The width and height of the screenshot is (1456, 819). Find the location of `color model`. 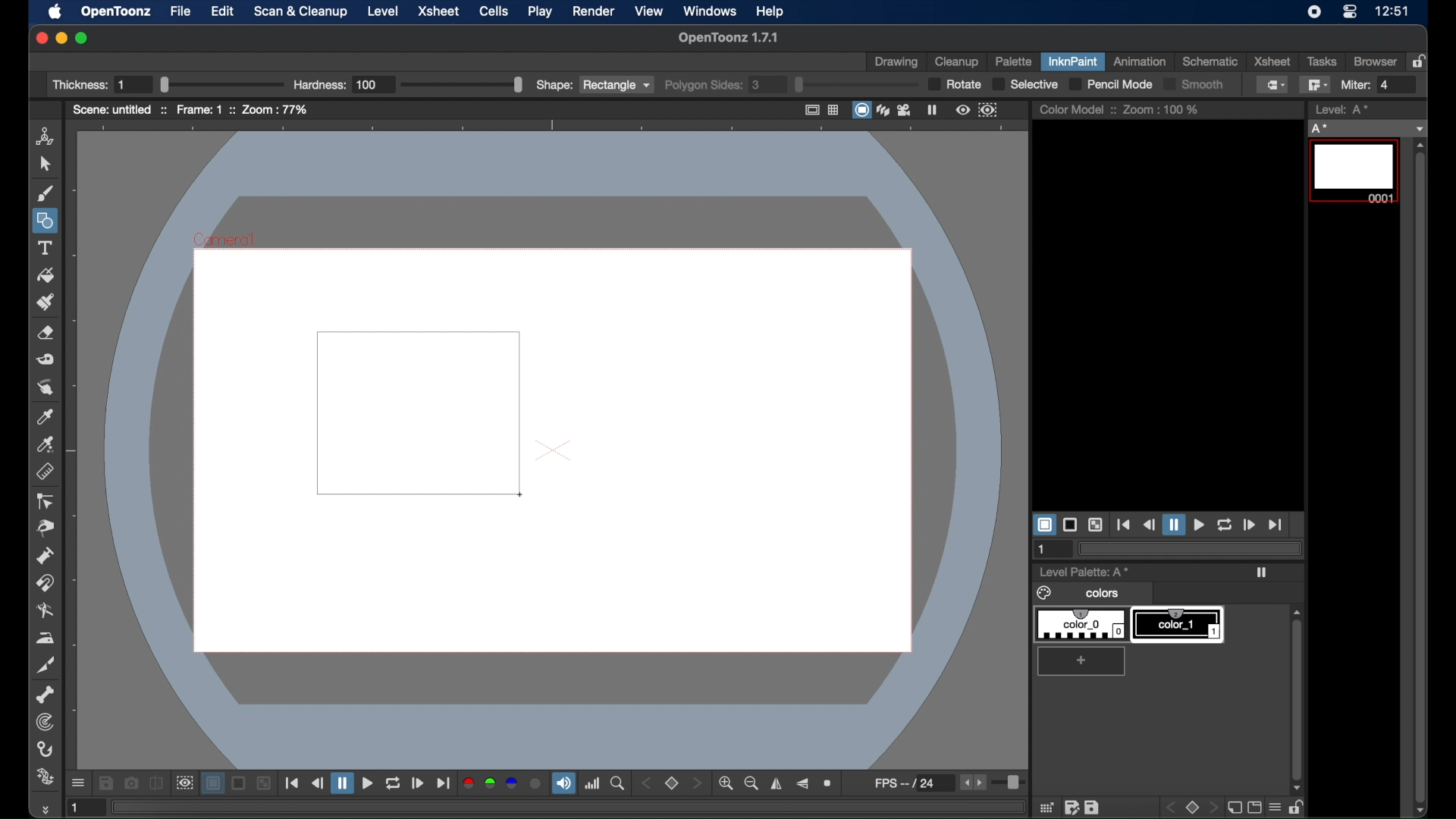

color model is located at coordinates (1077, 108).